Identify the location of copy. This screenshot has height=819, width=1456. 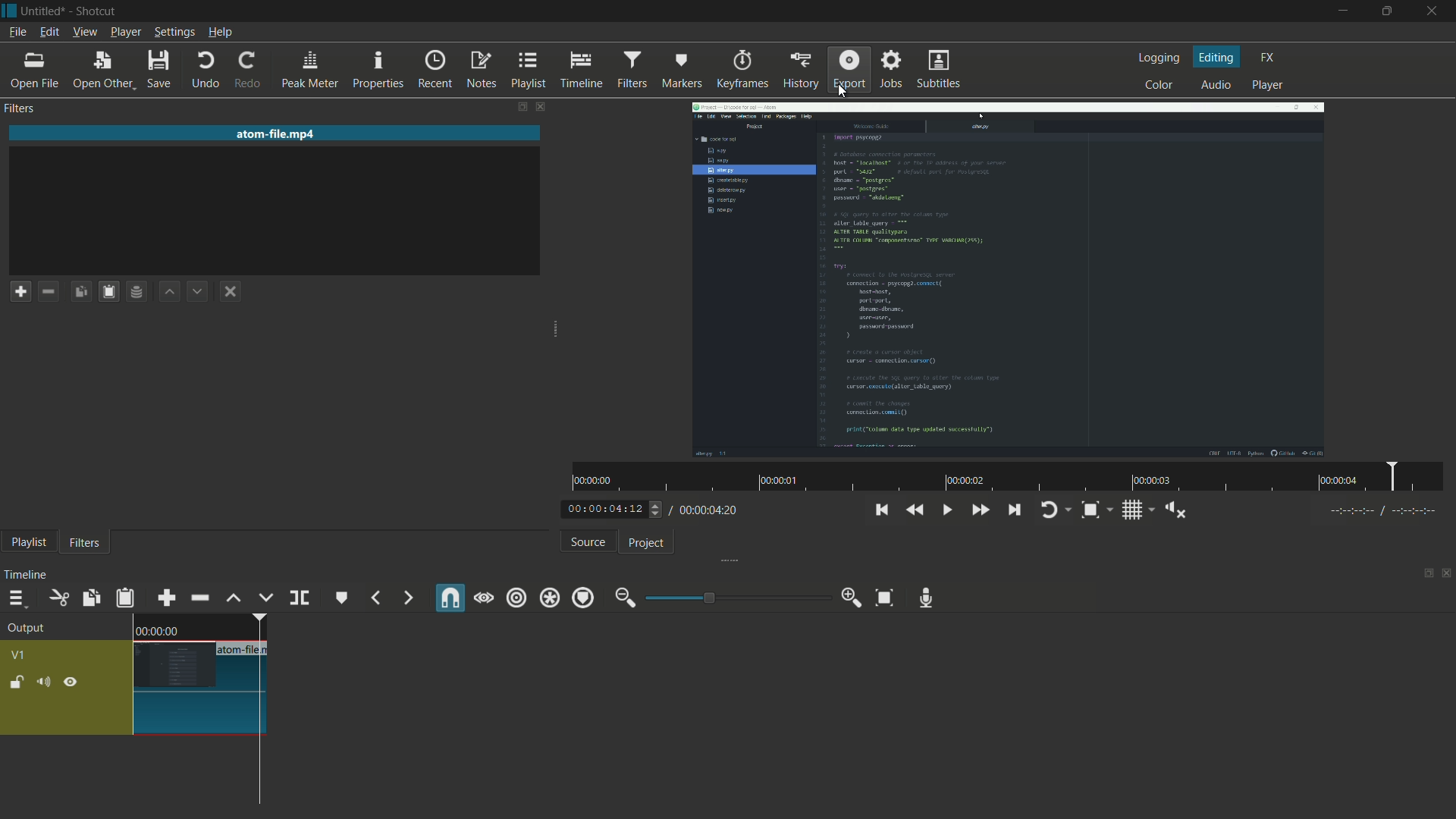
(88, 598).